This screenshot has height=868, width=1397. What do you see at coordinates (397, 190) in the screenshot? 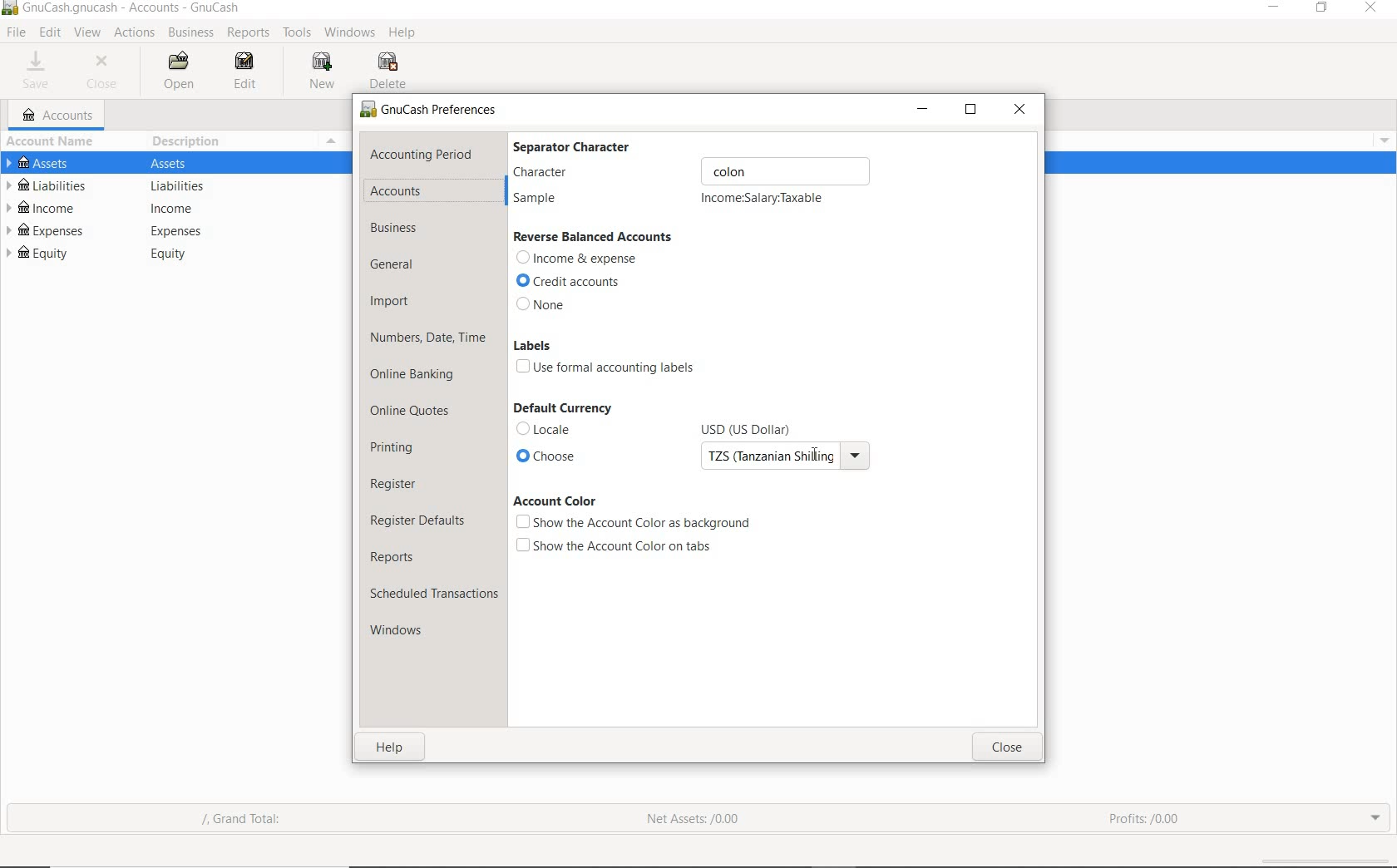
I see `accounts` at bounding box center [397, 190].